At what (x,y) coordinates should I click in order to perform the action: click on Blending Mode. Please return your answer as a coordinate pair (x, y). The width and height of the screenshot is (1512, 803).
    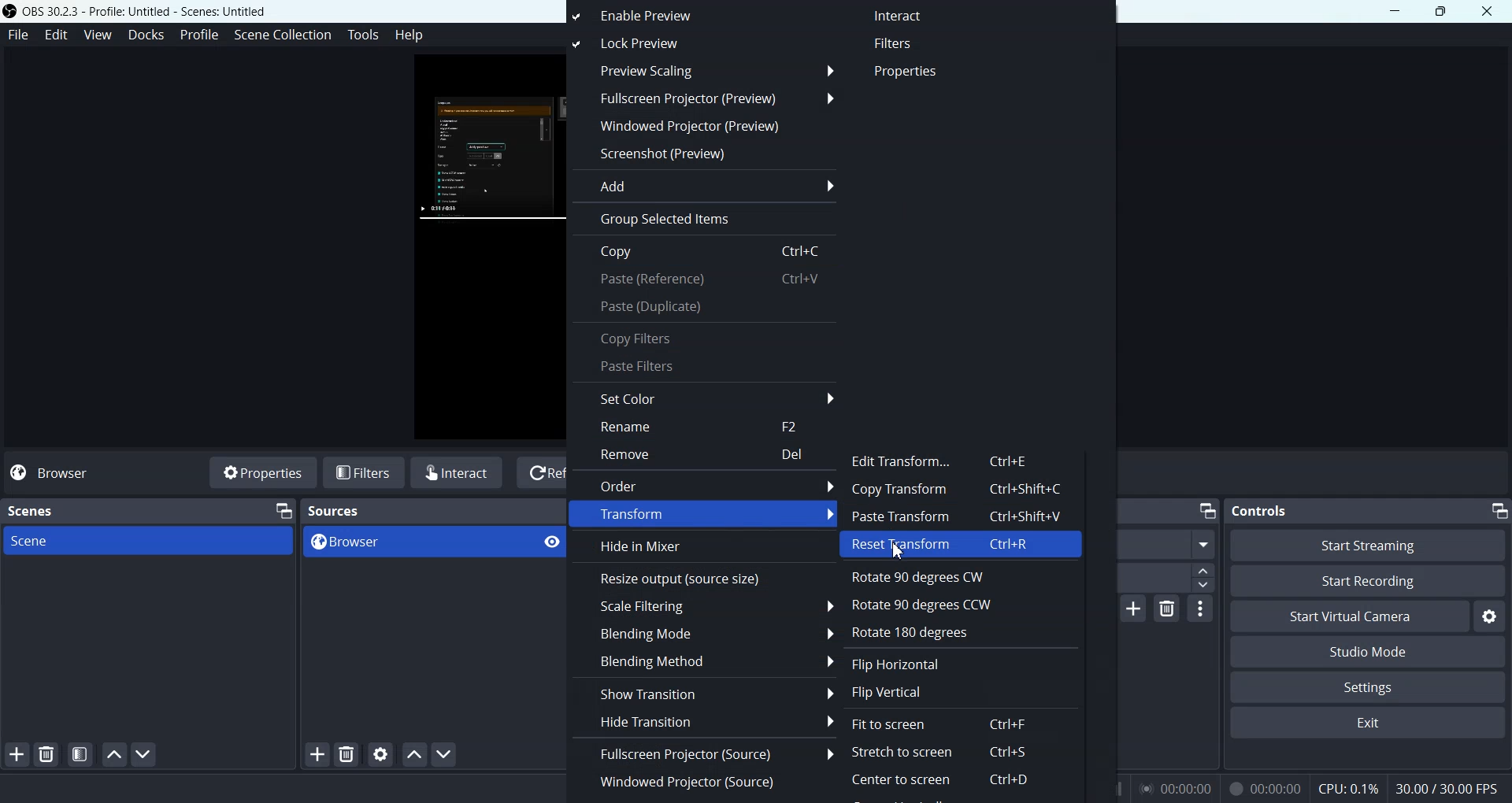
    Looking at the image, I should click on (706, 632).